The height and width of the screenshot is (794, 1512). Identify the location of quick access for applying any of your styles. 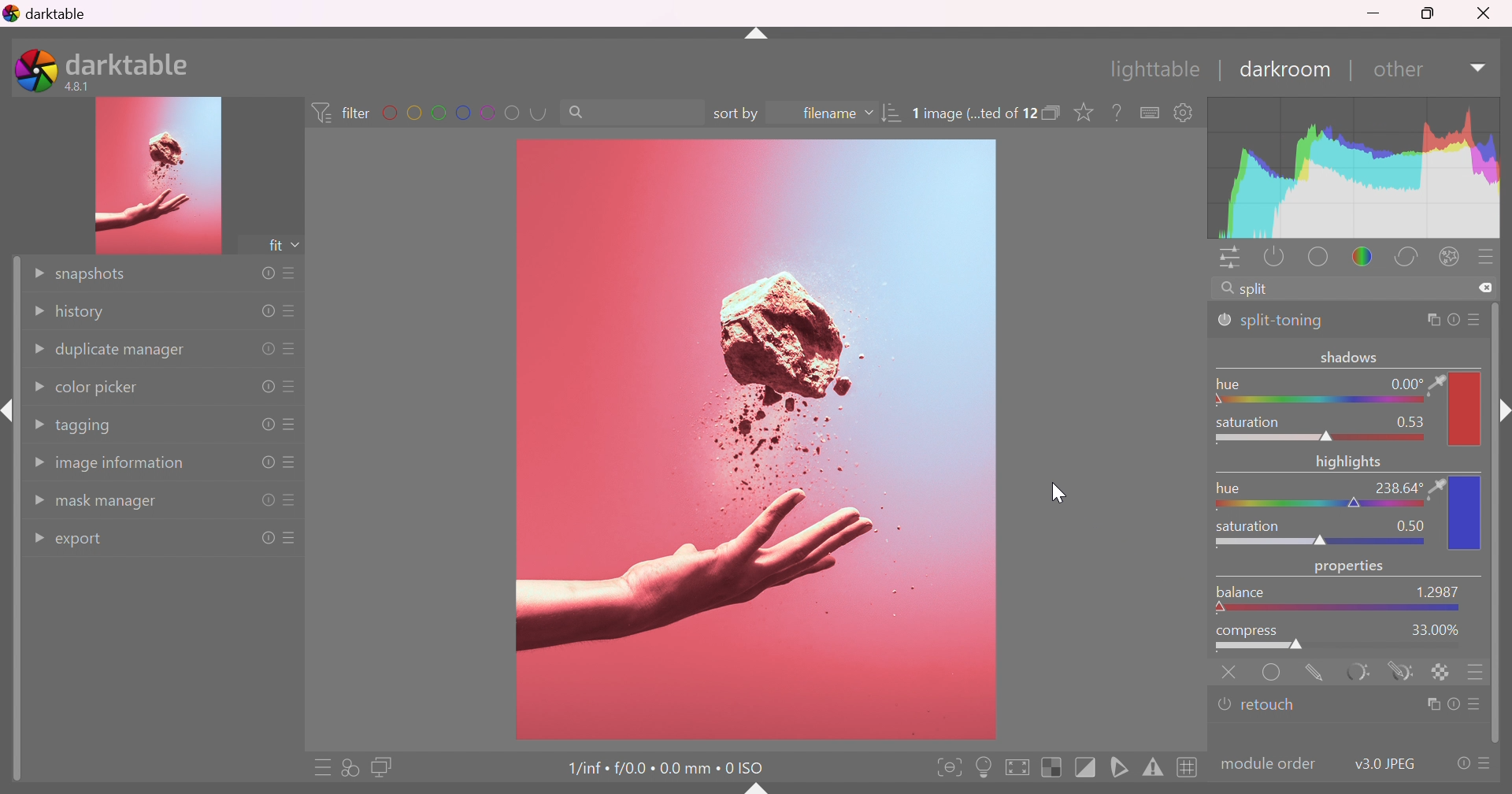
(354, 766).